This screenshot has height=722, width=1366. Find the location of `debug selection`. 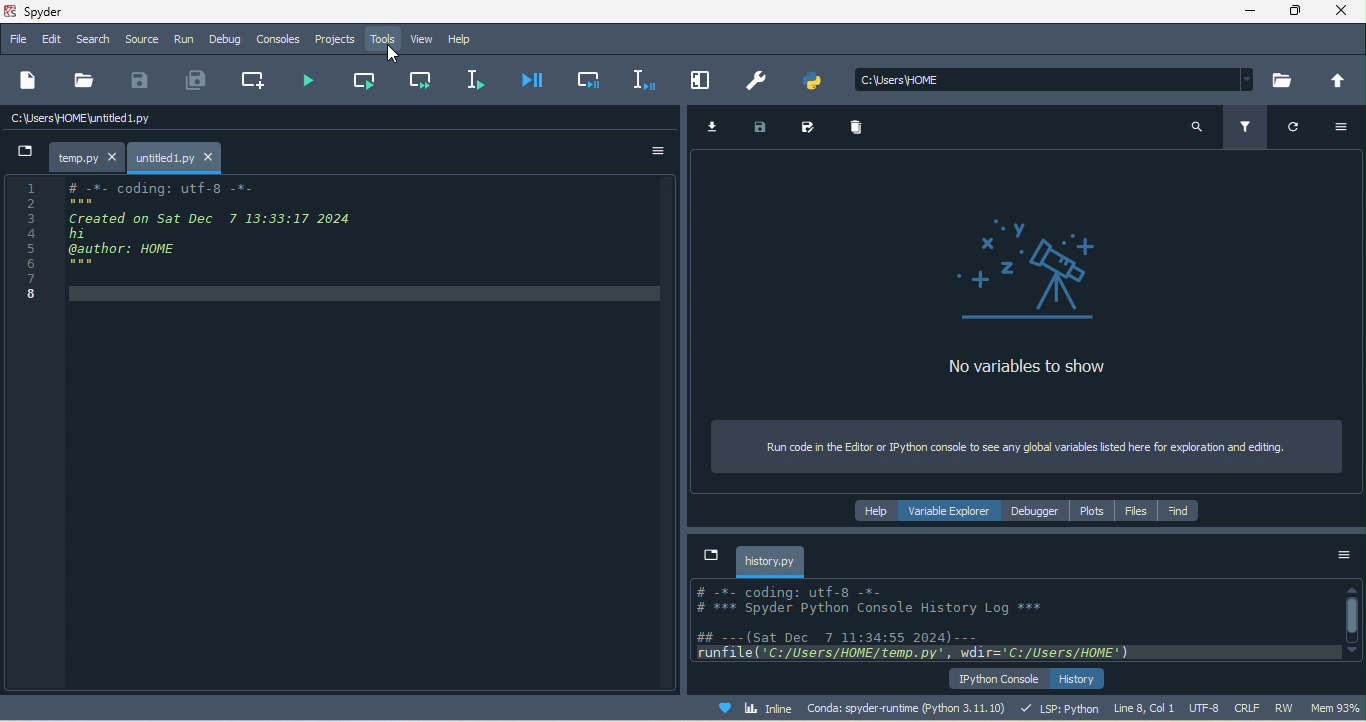

debug selection is located at coordinates (644, 78).